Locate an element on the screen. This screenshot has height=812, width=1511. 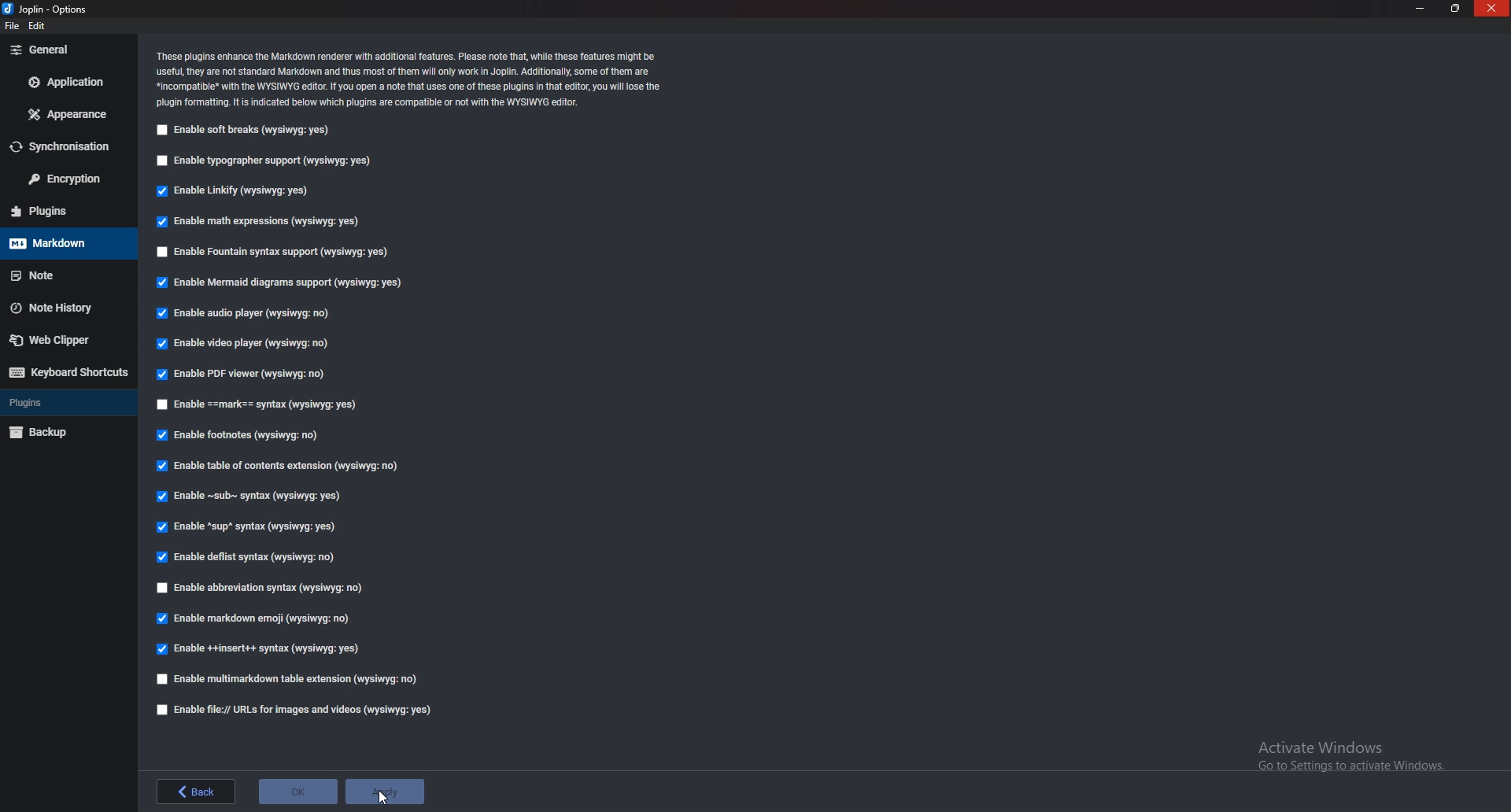
Info is located at coordinates (412, 79).